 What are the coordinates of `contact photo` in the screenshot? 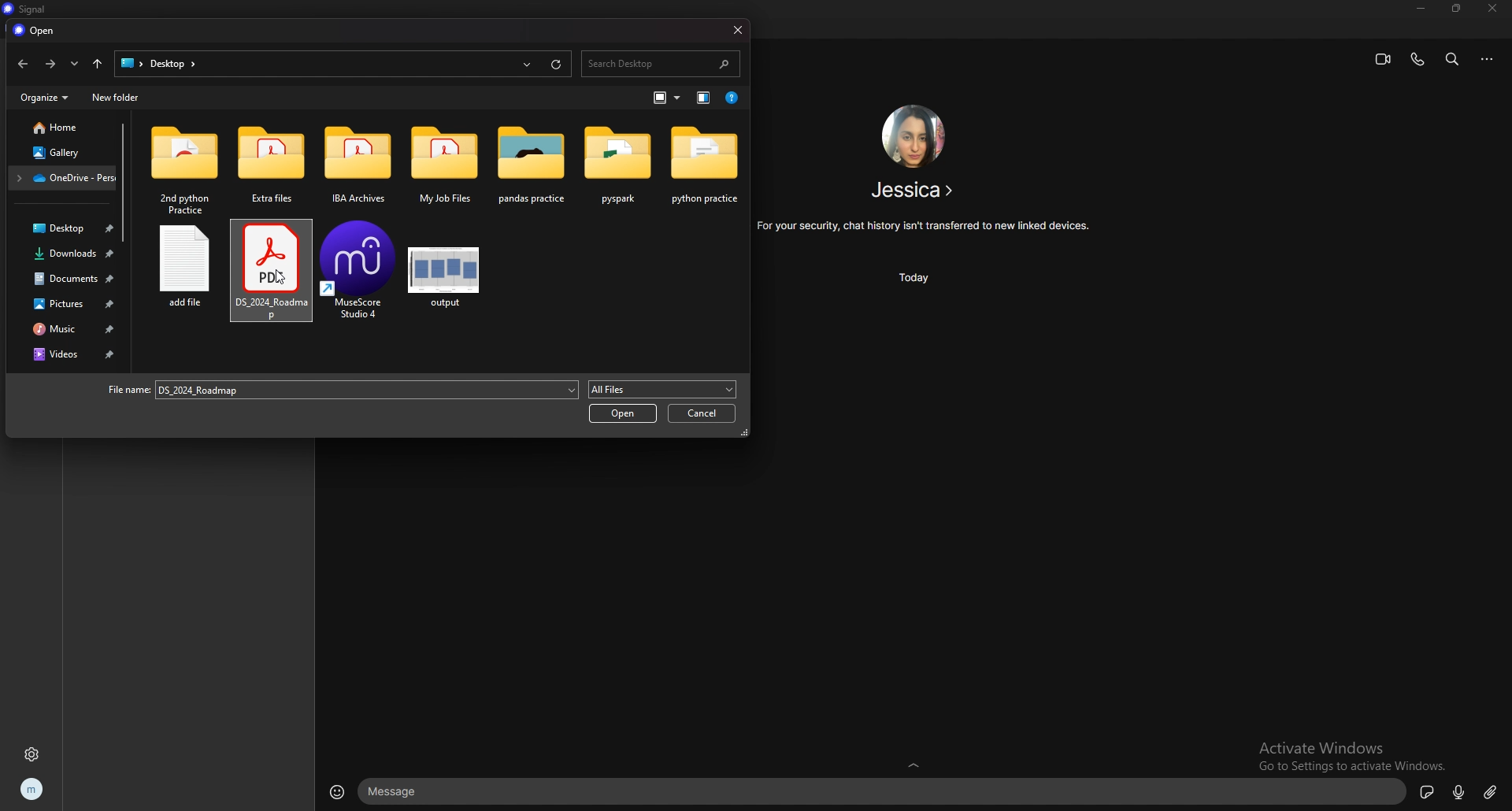 It's located at (912, 135).